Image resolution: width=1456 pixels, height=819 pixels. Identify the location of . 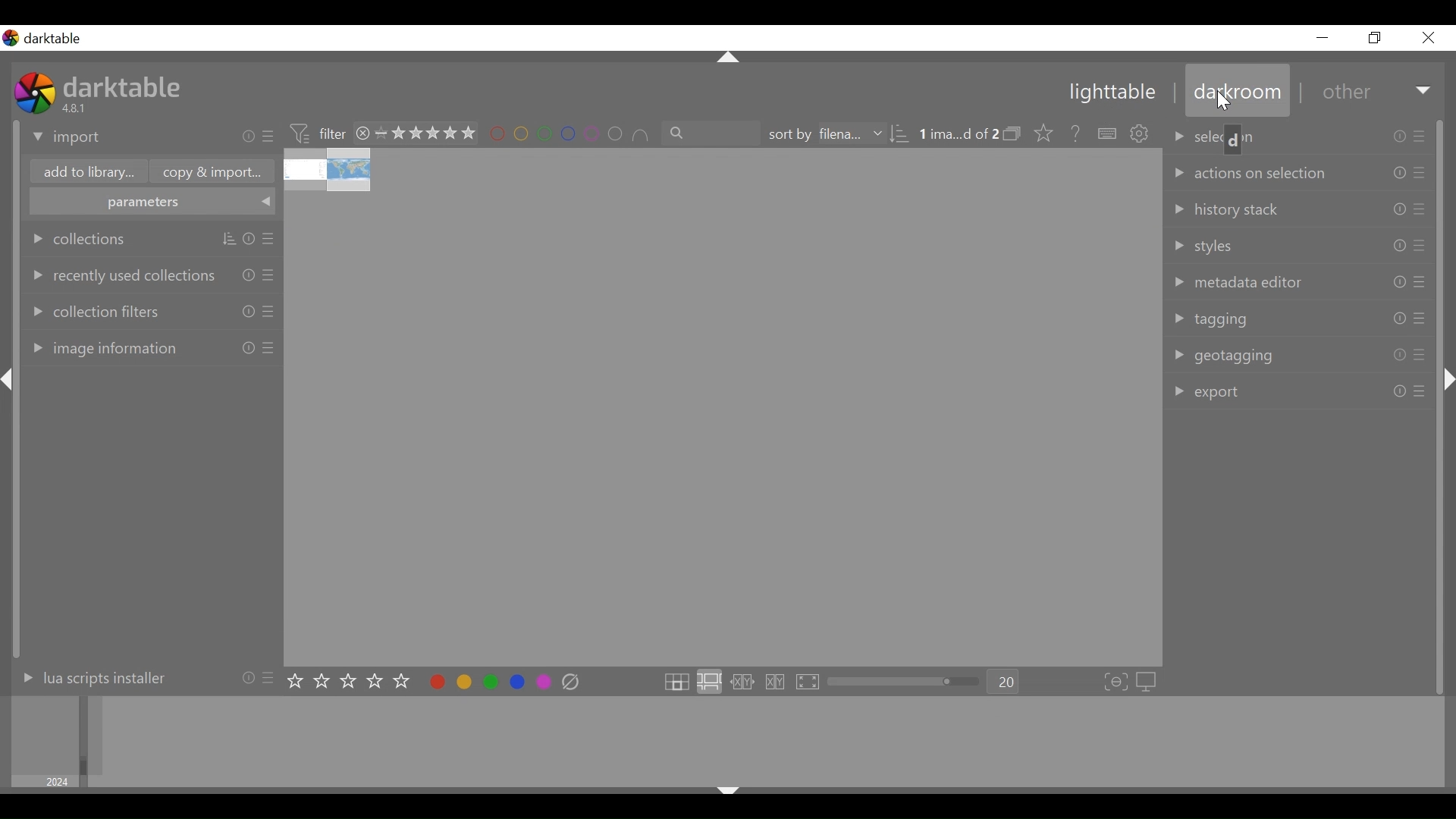
(1400, 318).